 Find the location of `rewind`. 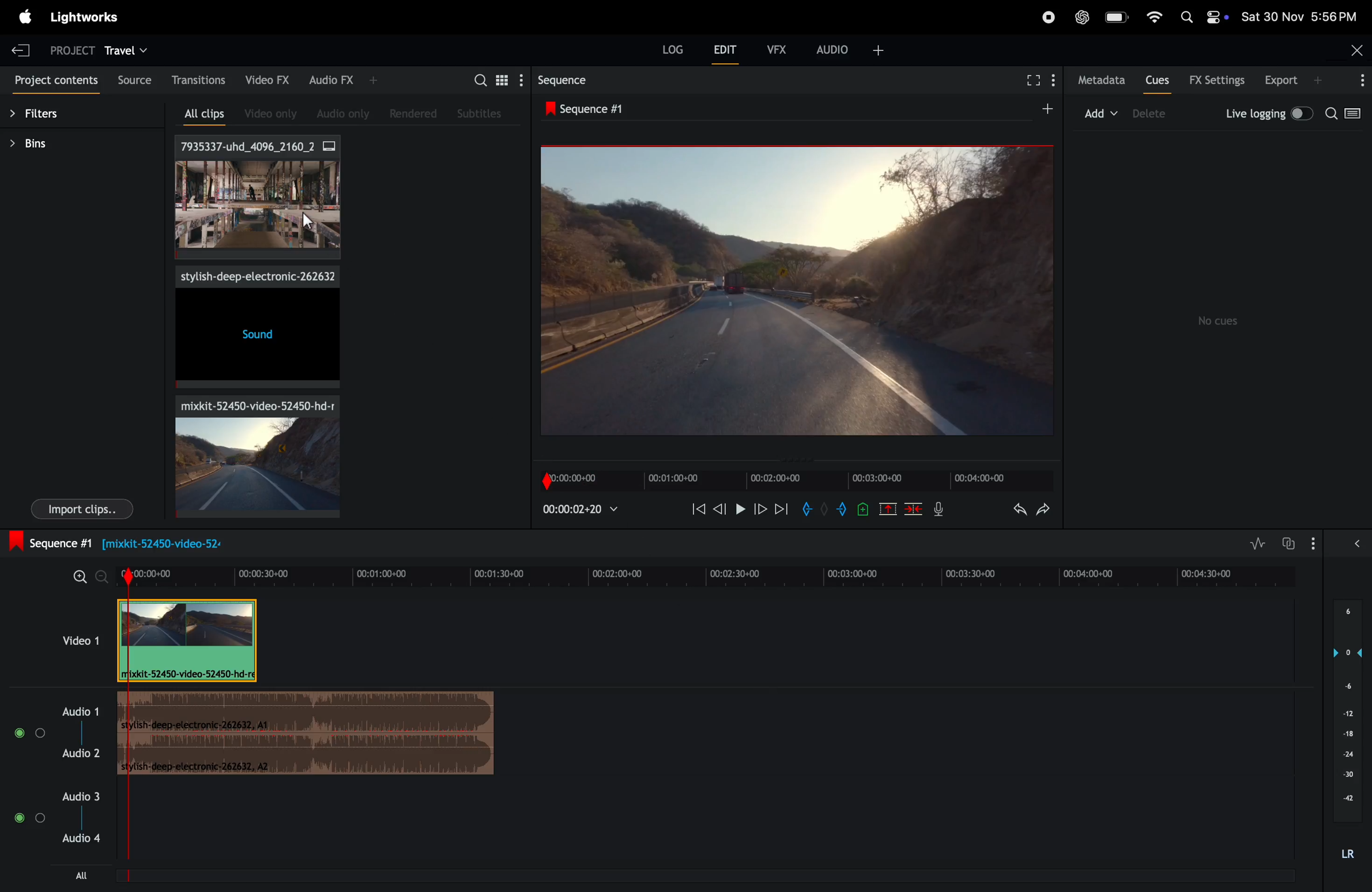

rewind is located at coordinates (696, 508).